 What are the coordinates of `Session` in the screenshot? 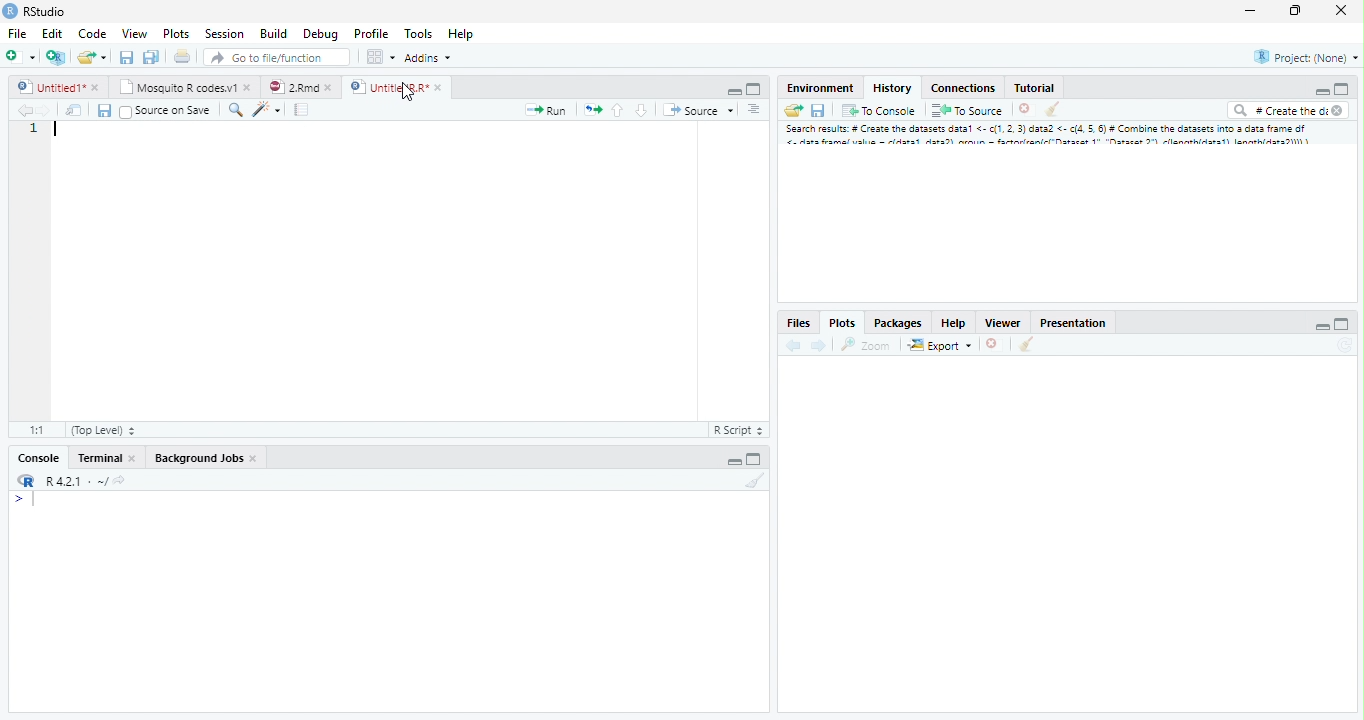 It's located at (227, 34).